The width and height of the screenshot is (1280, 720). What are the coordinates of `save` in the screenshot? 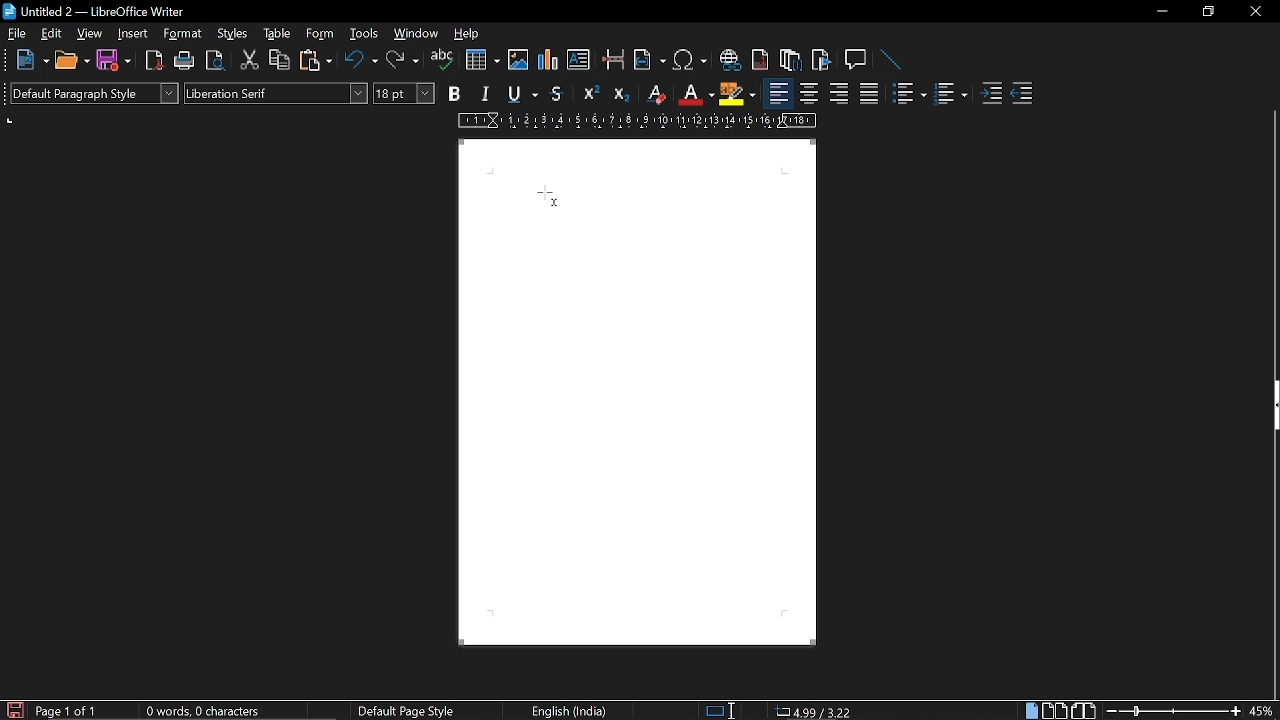 It's located at (14, 709).